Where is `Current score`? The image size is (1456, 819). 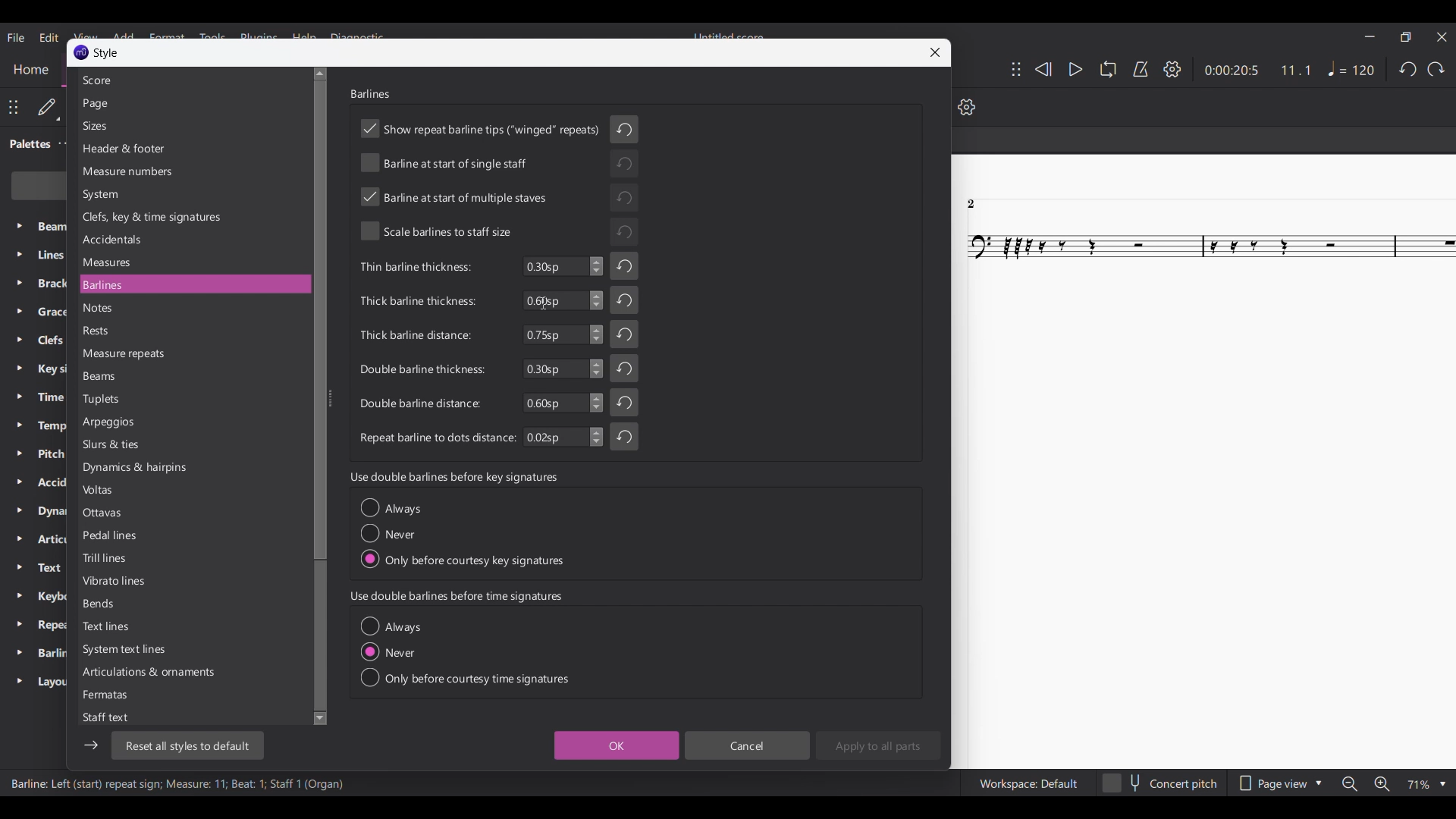
Current score is located at coordinates (1203, 462).